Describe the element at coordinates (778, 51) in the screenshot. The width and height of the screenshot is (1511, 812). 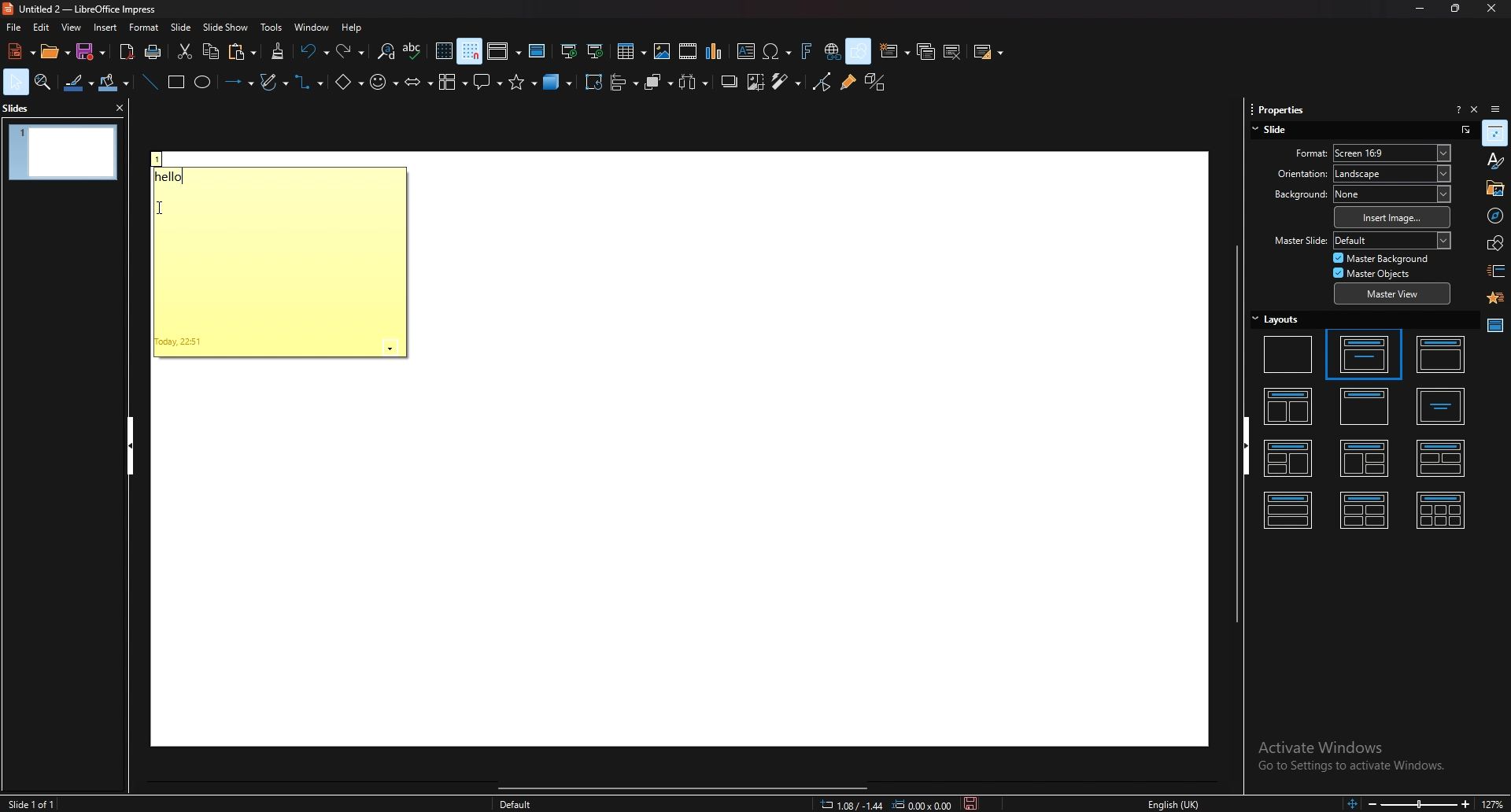
I see `insert special characters` at that location.